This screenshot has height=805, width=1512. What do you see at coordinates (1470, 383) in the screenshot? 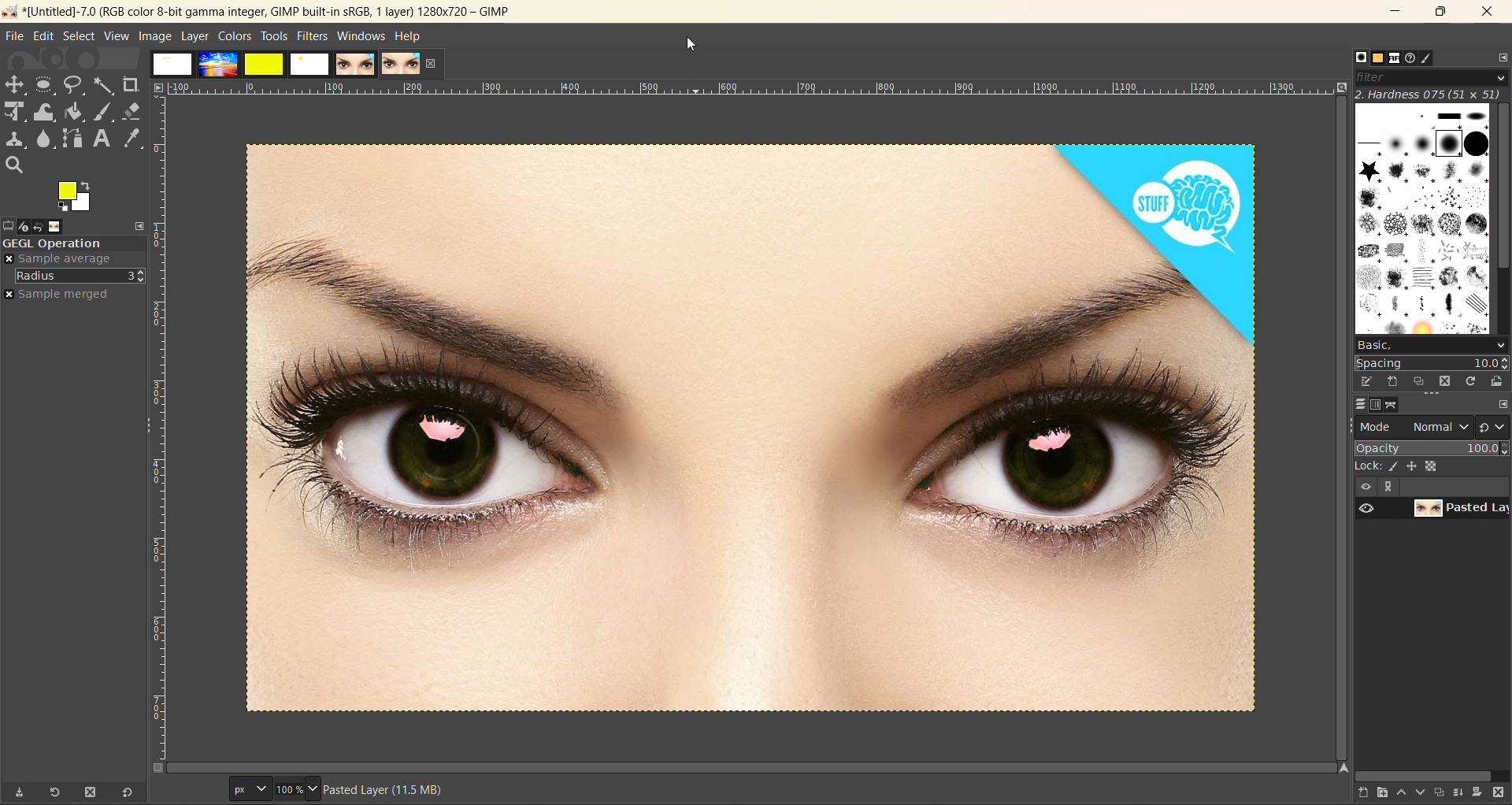
I see `refresh brushes` at bounding box center [1470, 383].